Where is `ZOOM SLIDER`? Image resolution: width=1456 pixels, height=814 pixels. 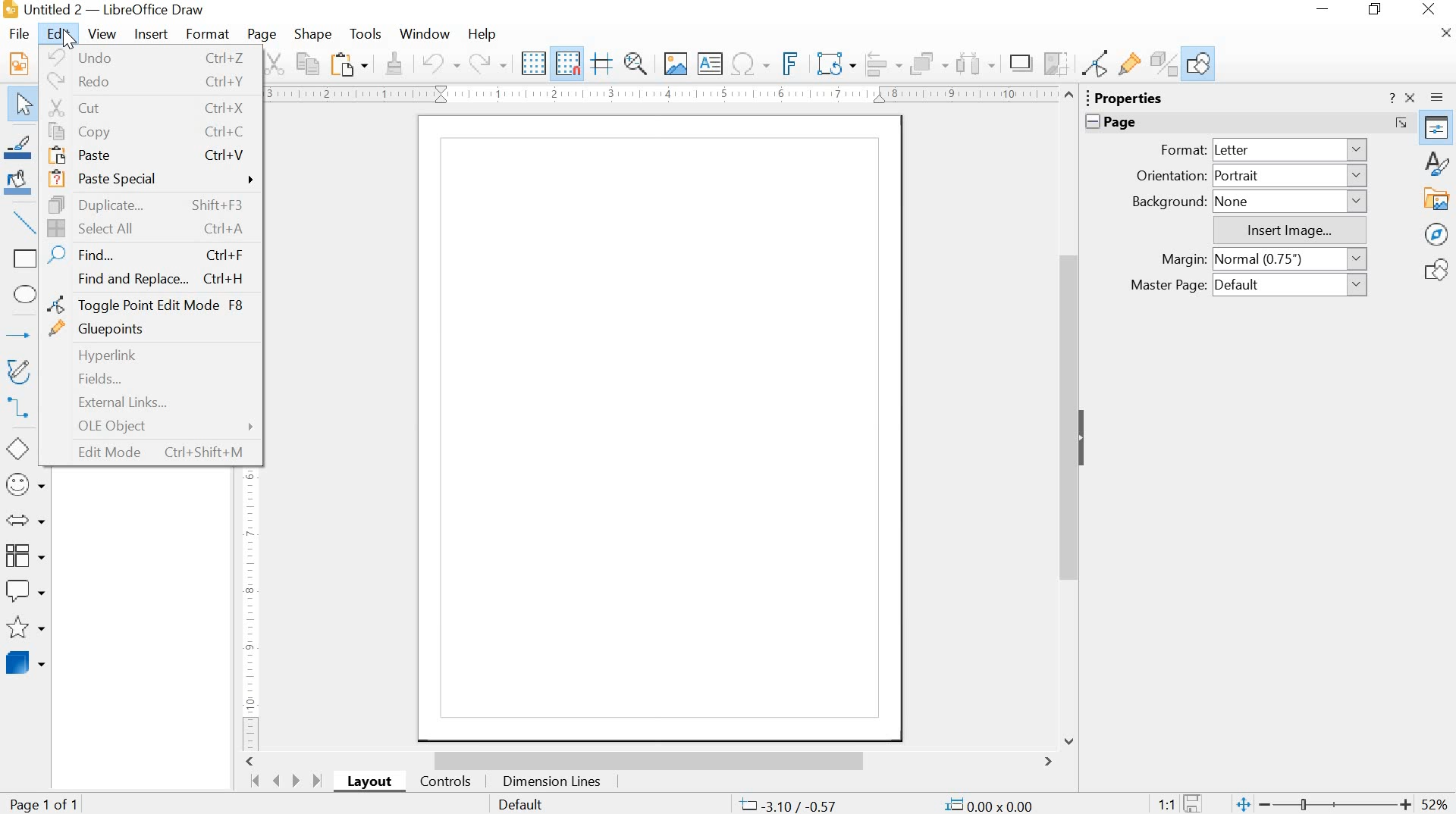 ZOOM SLIDER is located at coordinates (1323, 803).